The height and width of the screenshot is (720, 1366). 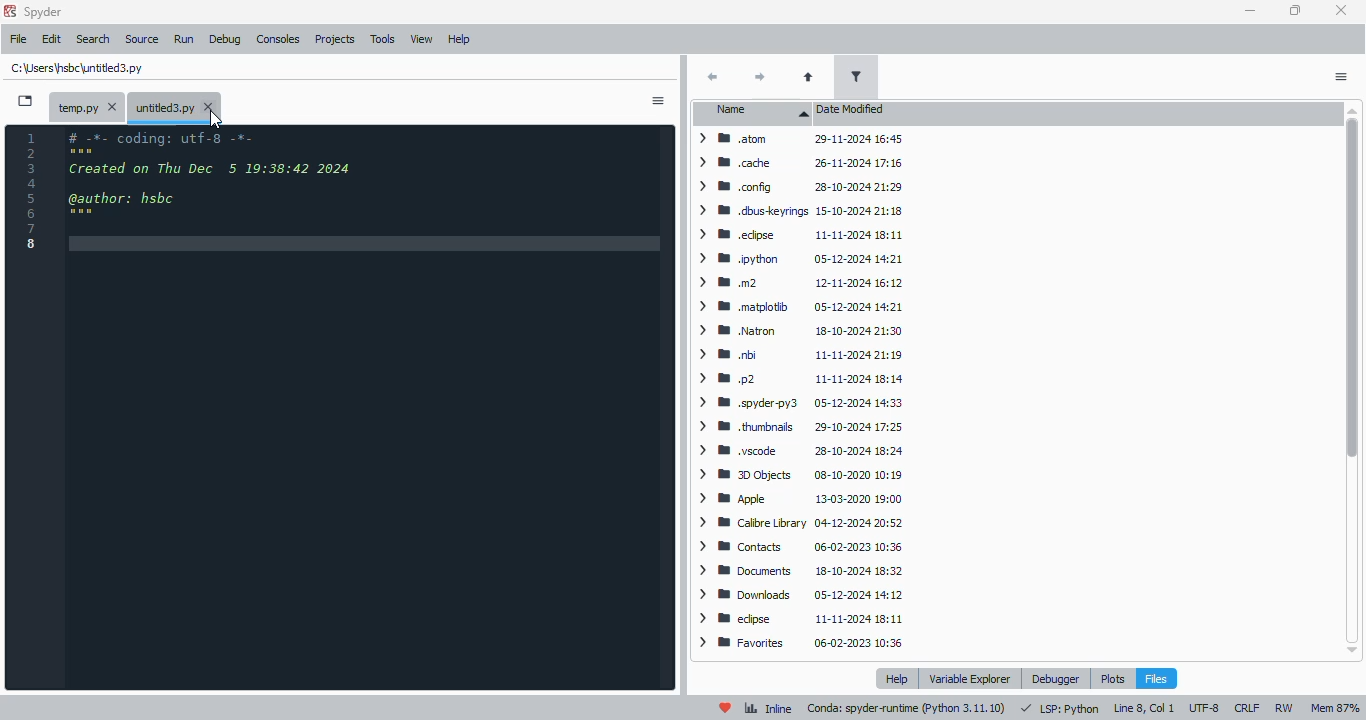 What do you see at coordinates (1284, 708) in the screenshot?
I see `RW` at bounding box center [1284, 708].